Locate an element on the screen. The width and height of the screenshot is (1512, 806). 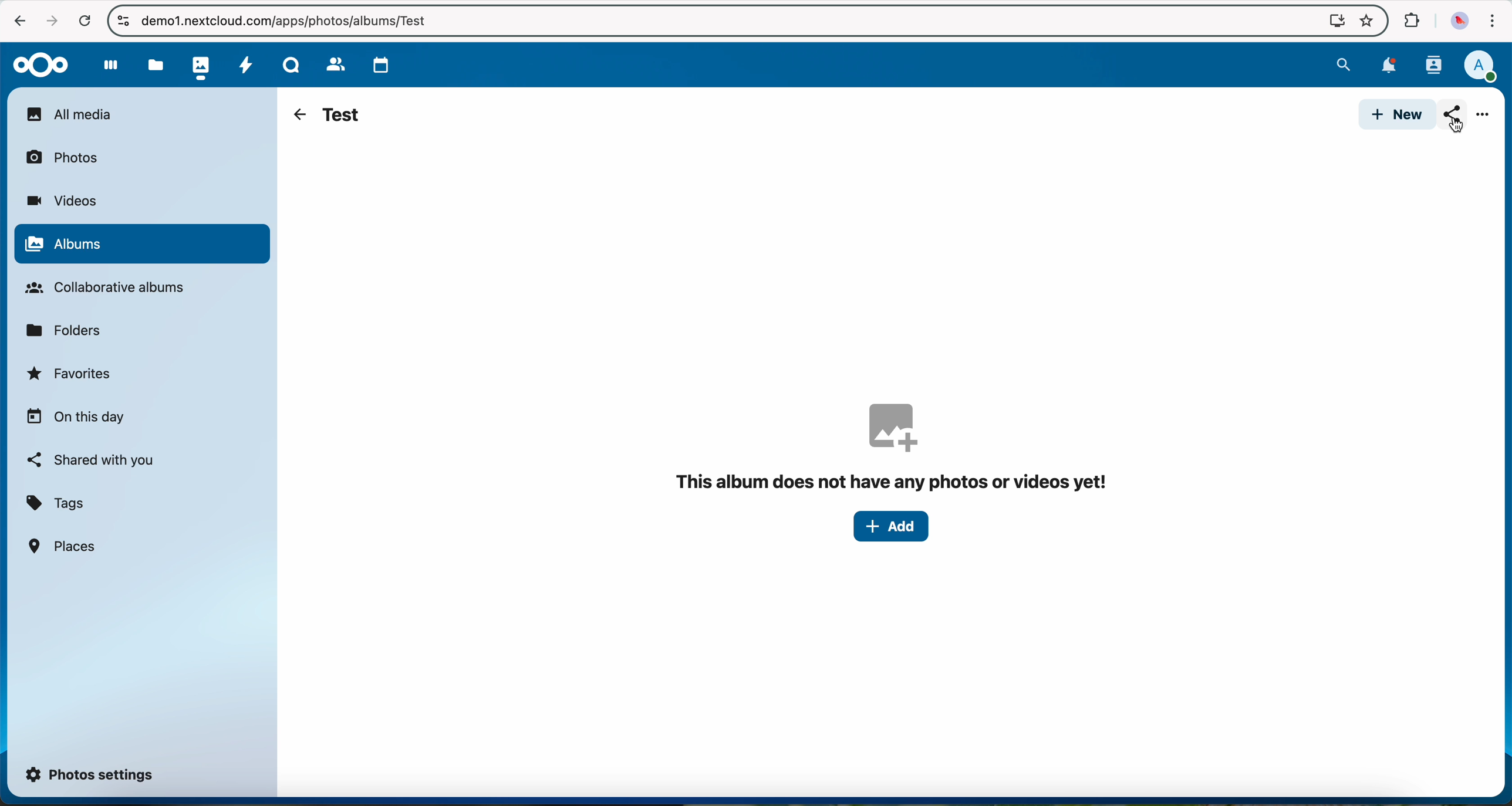
test is located at coordinates (342, 113).